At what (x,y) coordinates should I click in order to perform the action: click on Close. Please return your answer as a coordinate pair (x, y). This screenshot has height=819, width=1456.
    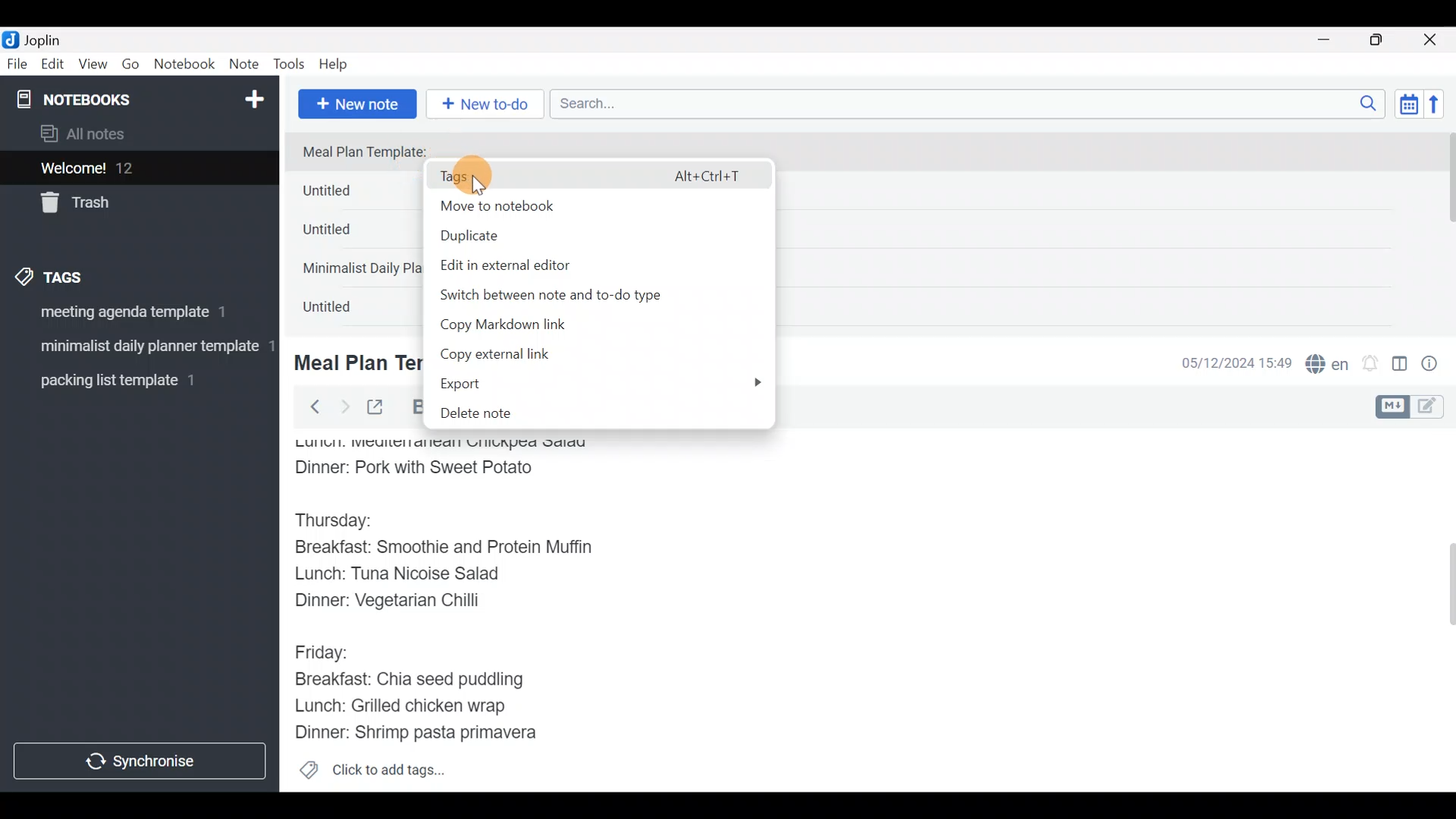
    Looking at the image, I should click on (1432, 41).